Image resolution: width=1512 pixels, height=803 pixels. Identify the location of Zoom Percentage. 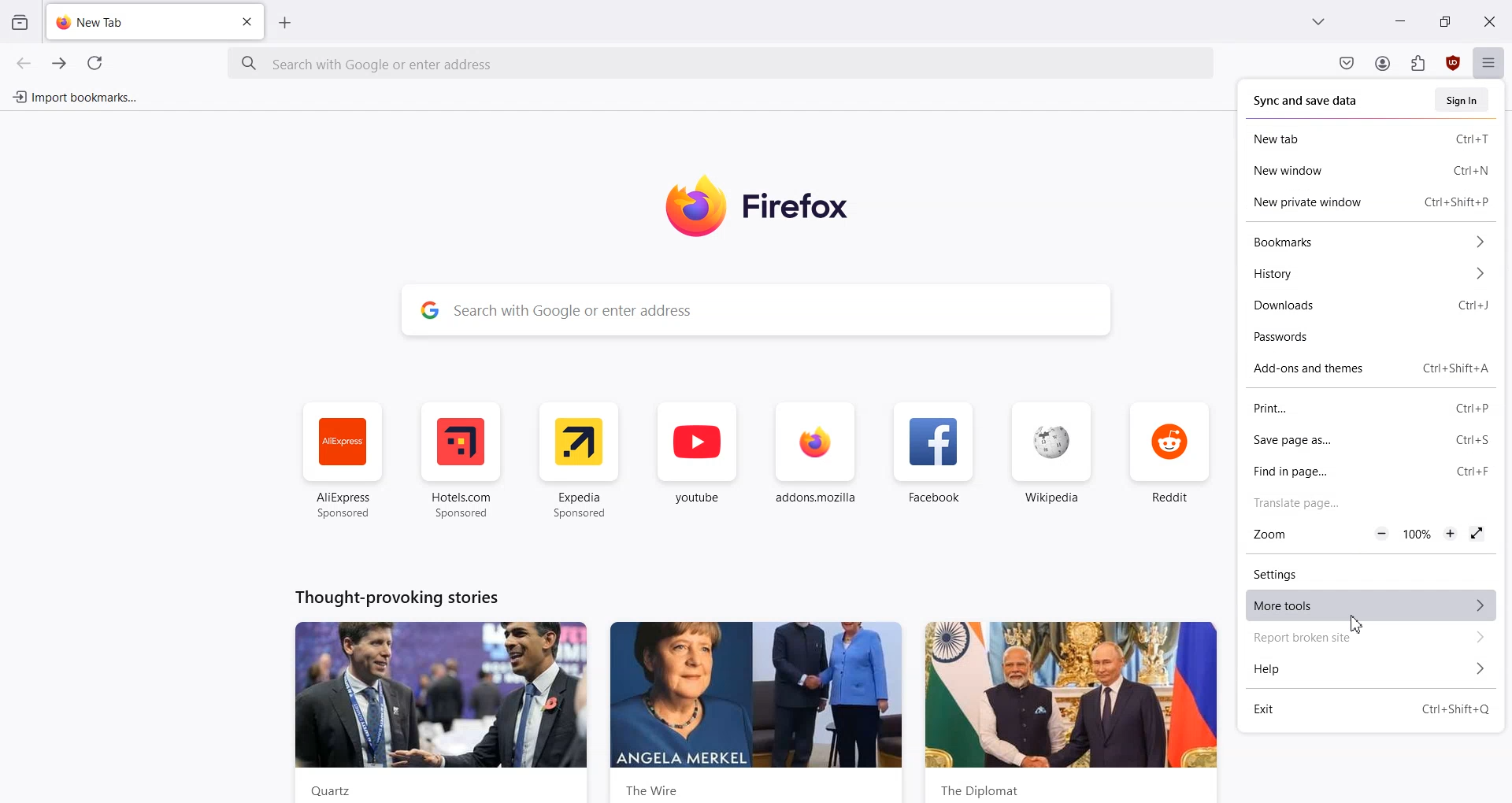
(1418, 534).